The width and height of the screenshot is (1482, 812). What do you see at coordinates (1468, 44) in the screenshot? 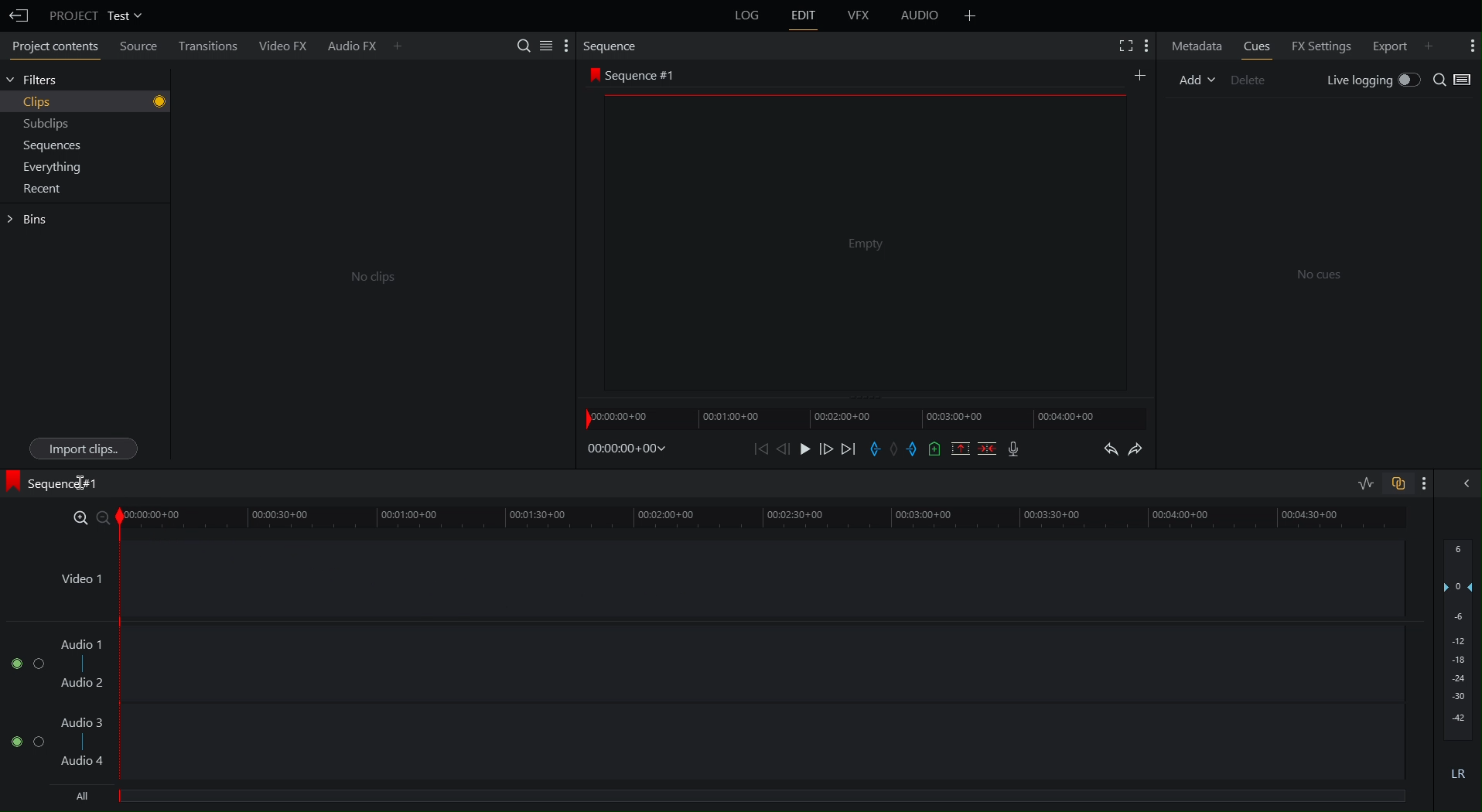
I see `More` at bounding box center [1468, 44].